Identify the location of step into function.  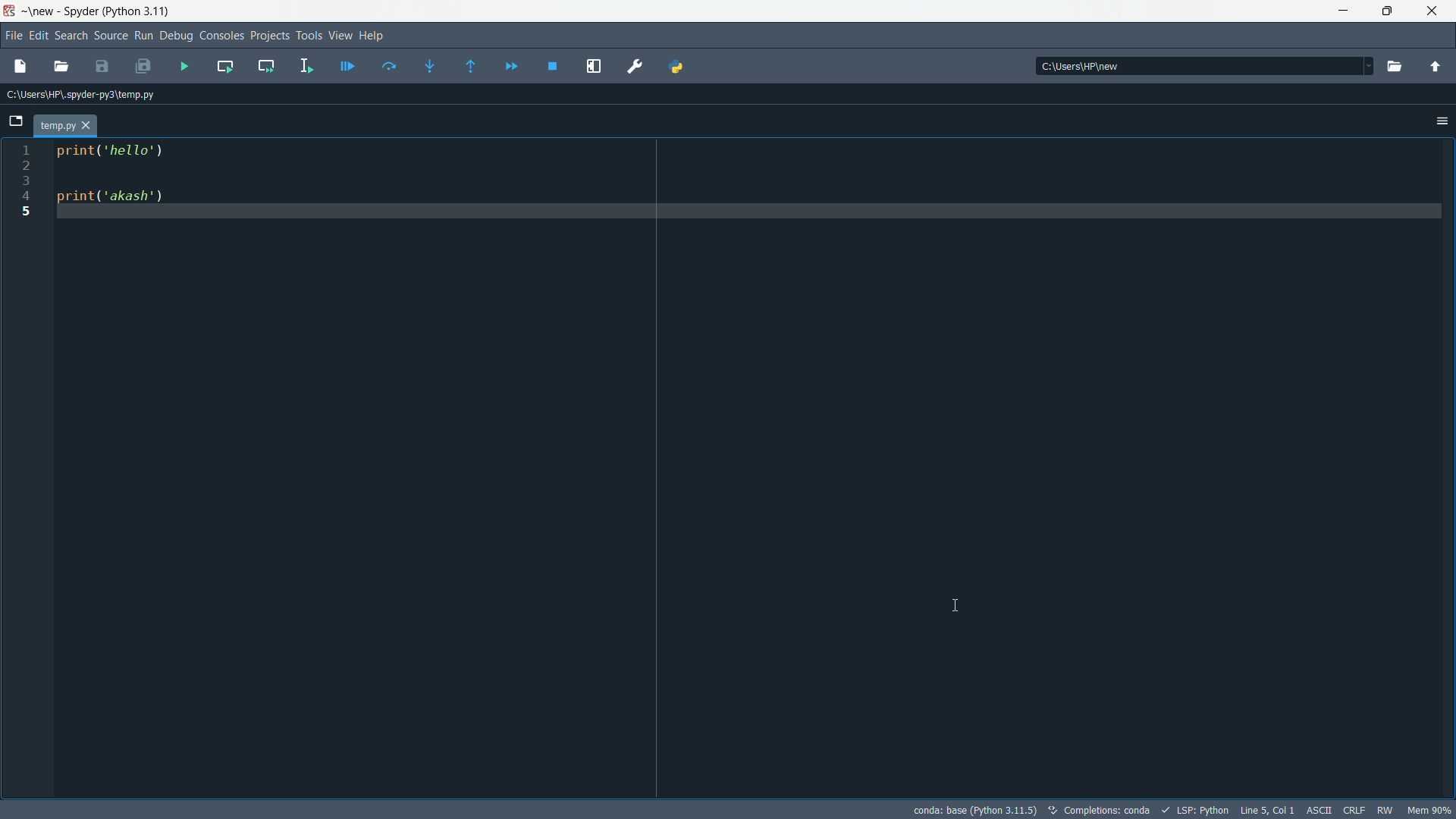
(431, 67).